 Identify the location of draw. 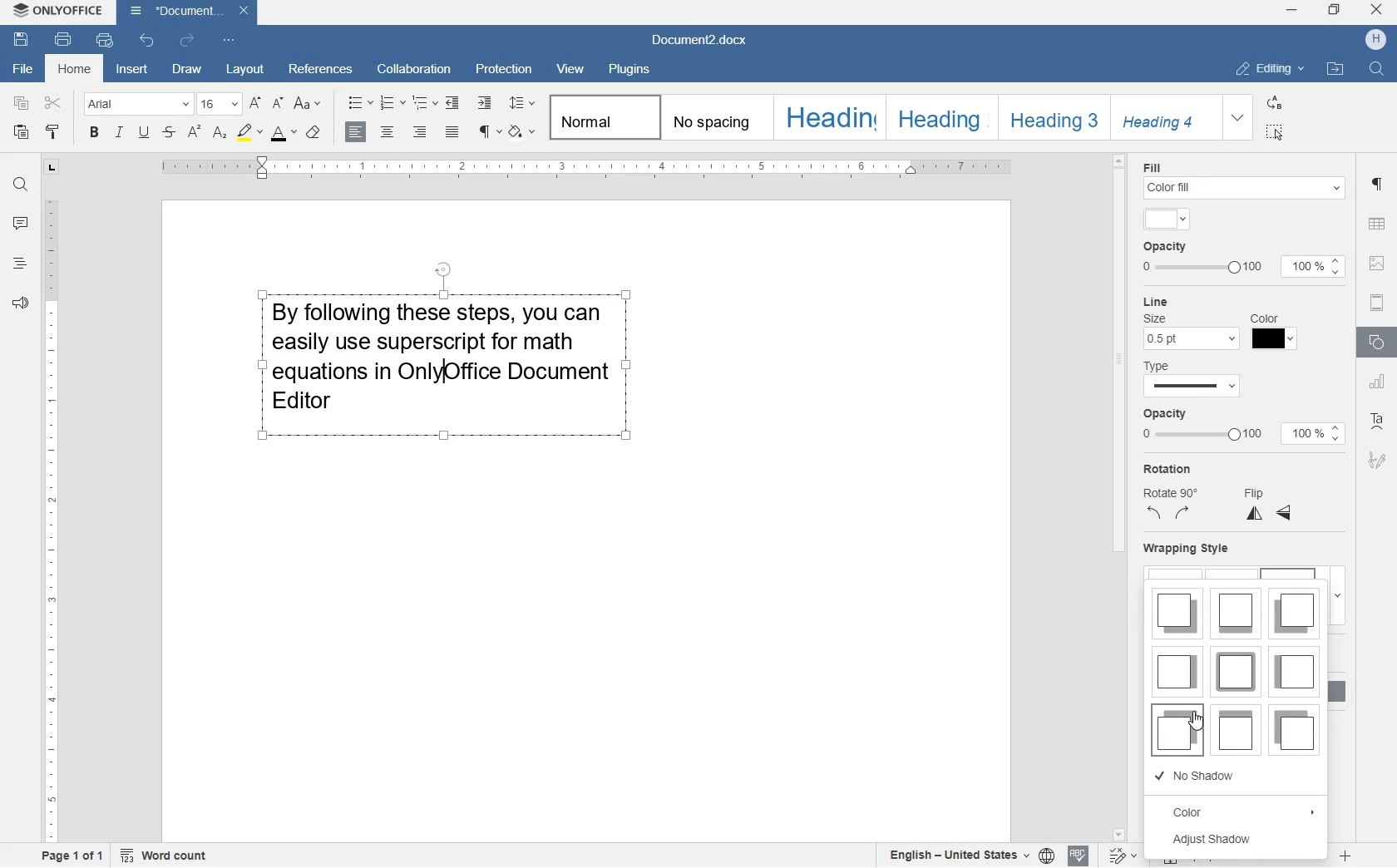
(187, 72).